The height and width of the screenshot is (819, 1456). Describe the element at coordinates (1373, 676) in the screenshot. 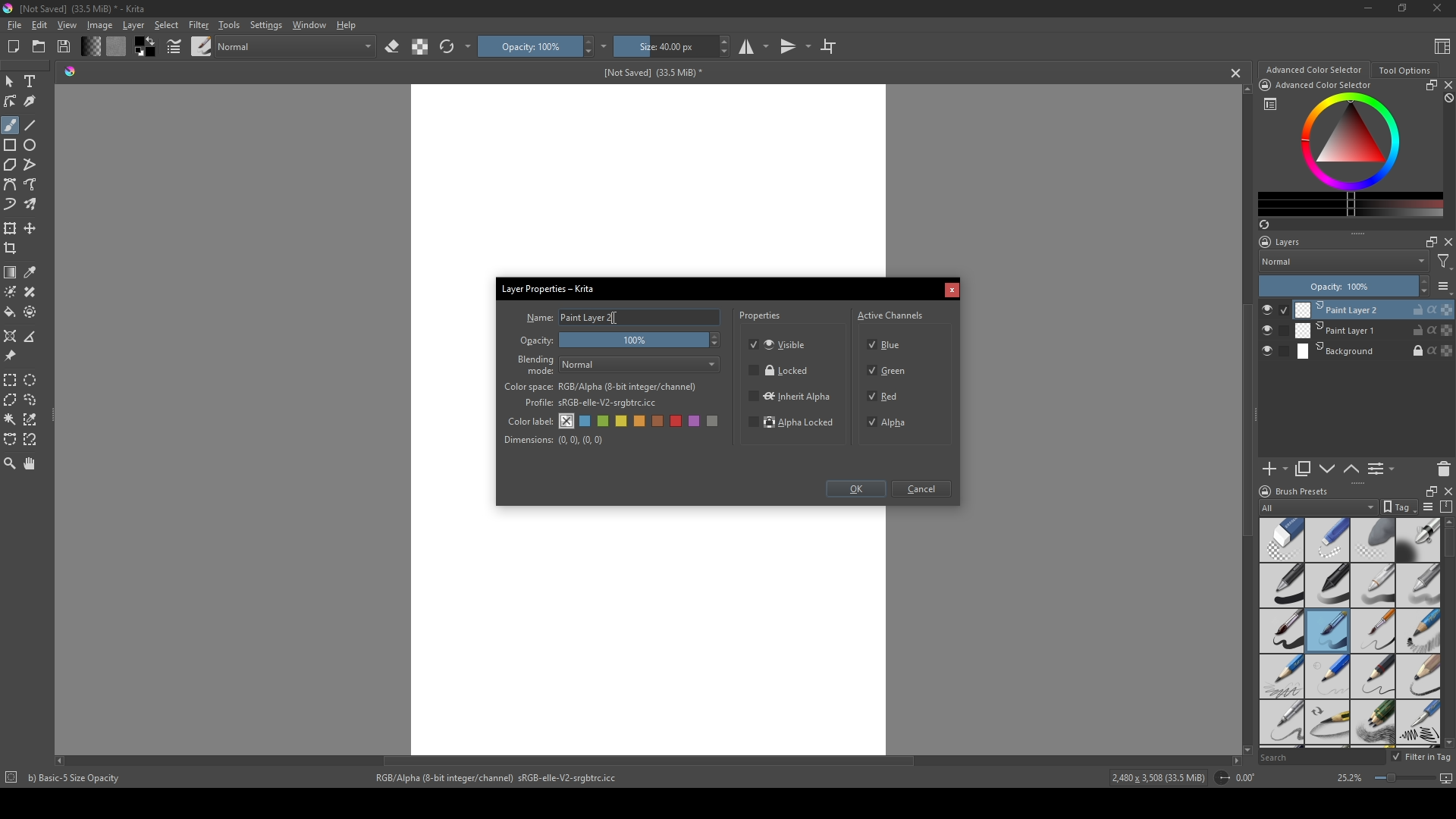

I see `pencil` at that location.